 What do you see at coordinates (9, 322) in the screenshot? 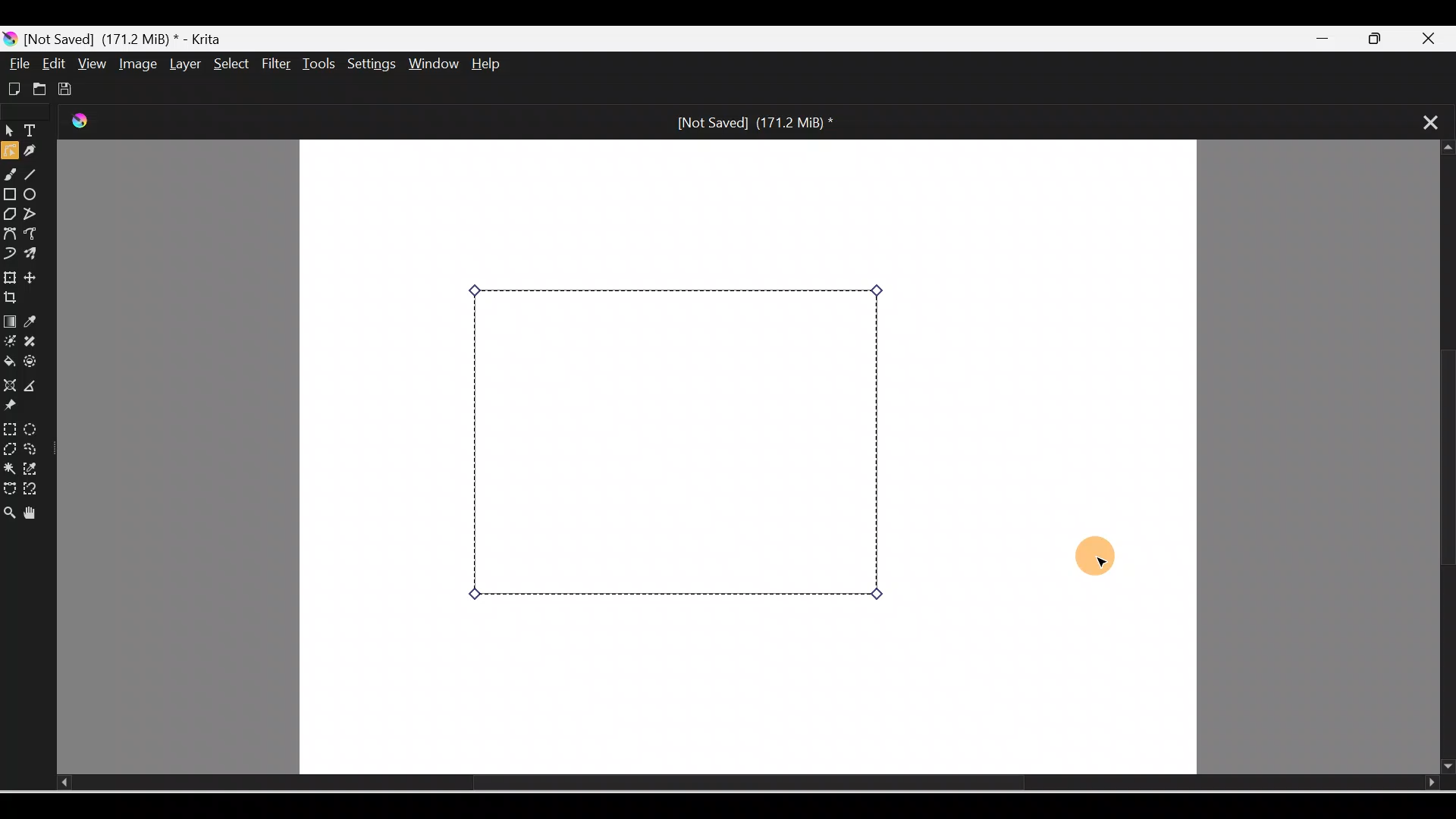
I see `Draw a gradient` at bounding box center [9, 322].